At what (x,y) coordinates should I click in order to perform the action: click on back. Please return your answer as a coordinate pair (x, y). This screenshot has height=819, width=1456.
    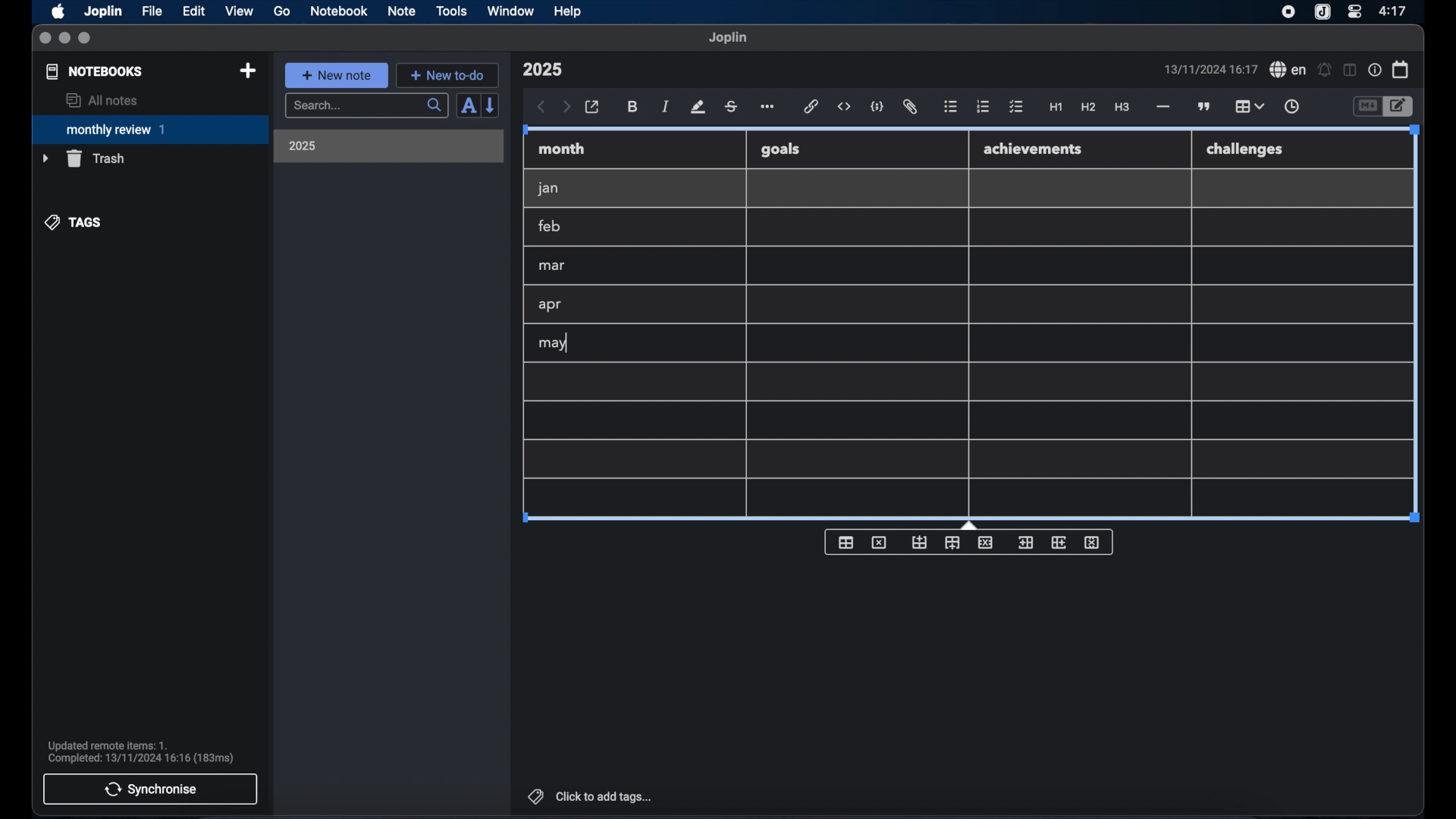
    Looking at the image, I should click on (541, 107).